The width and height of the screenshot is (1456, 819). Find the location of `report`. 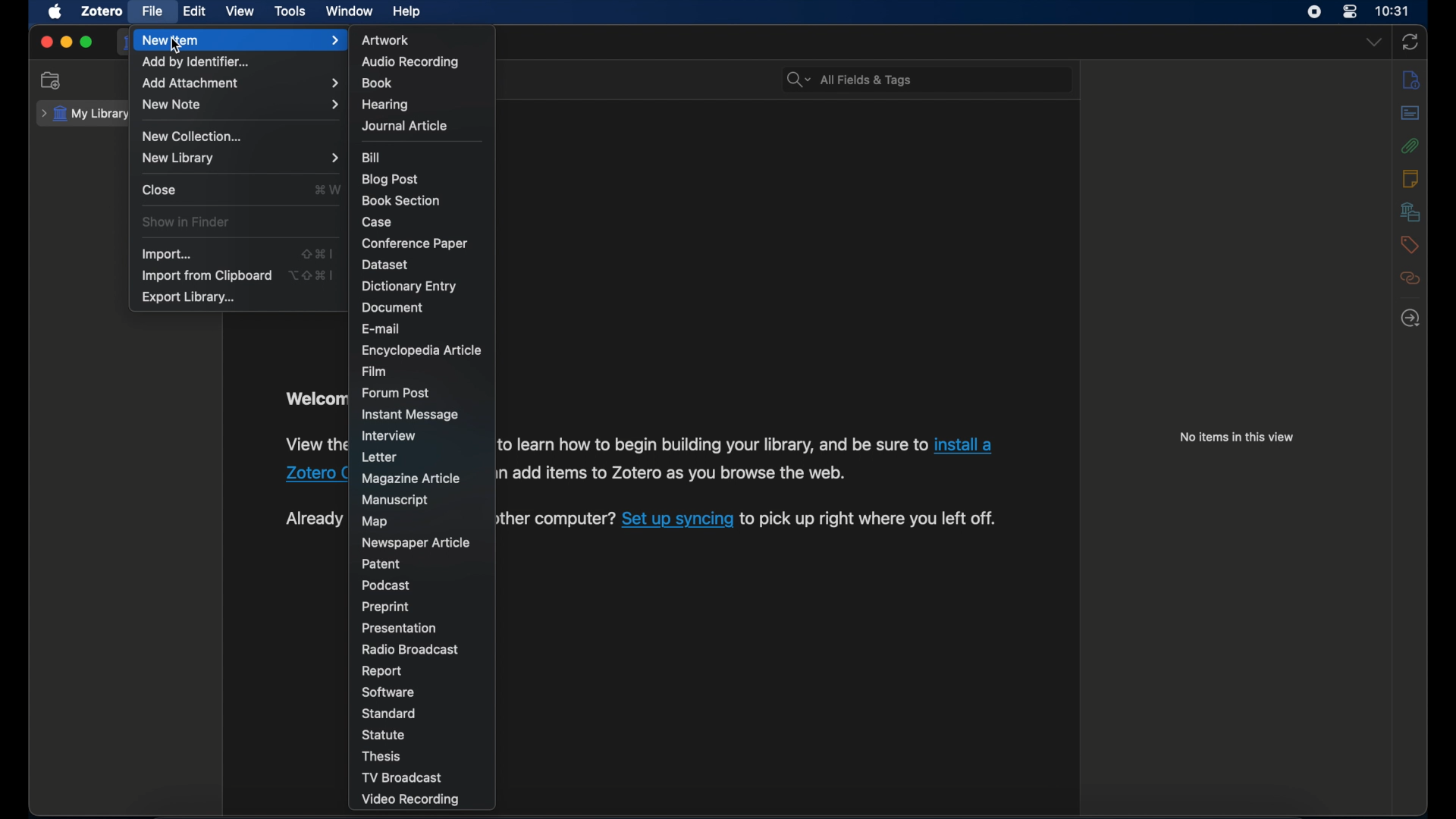

report is located at coordinates (381, 671).